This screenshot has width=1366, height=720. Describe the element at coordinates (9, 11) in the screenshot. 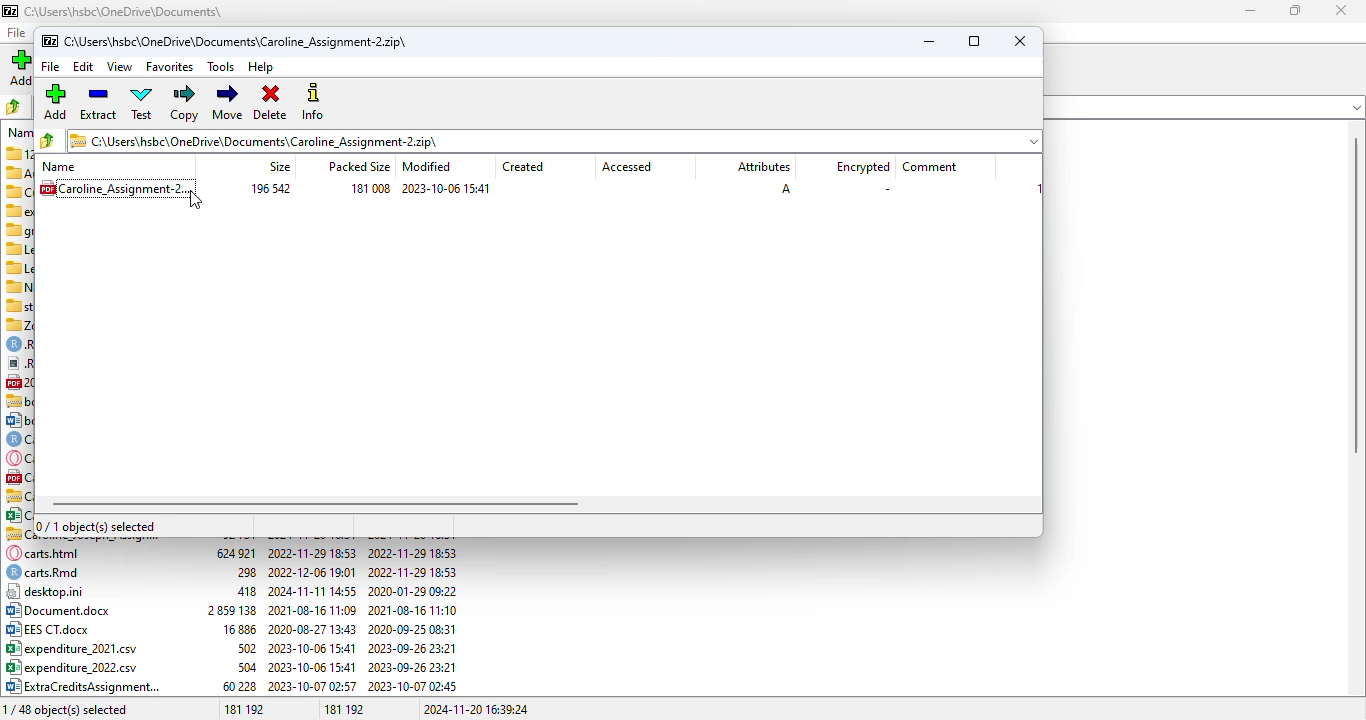

I see `logo` at that location.